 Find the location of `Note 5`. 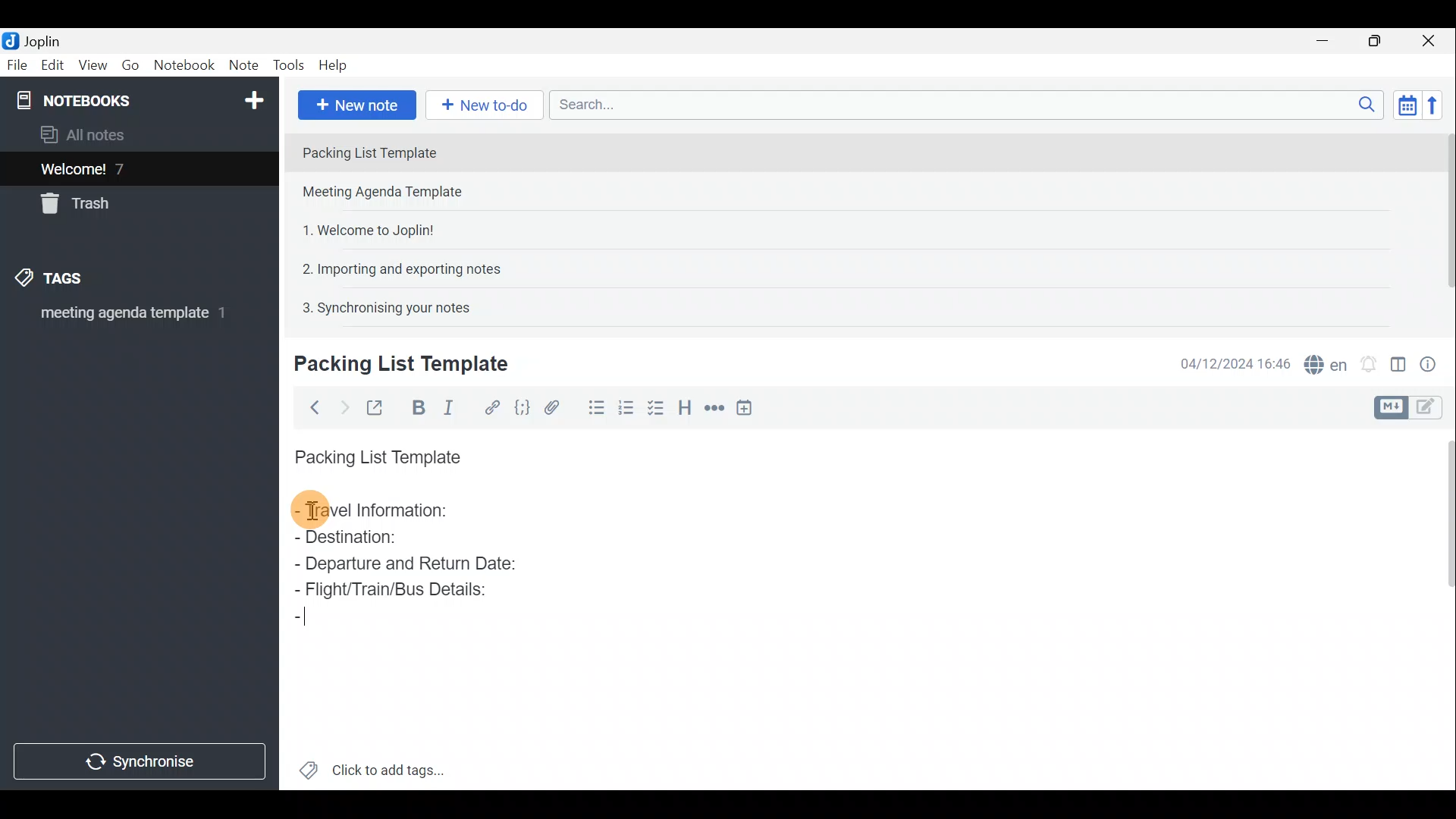

Note 5 is located at coordinates (380, 306).